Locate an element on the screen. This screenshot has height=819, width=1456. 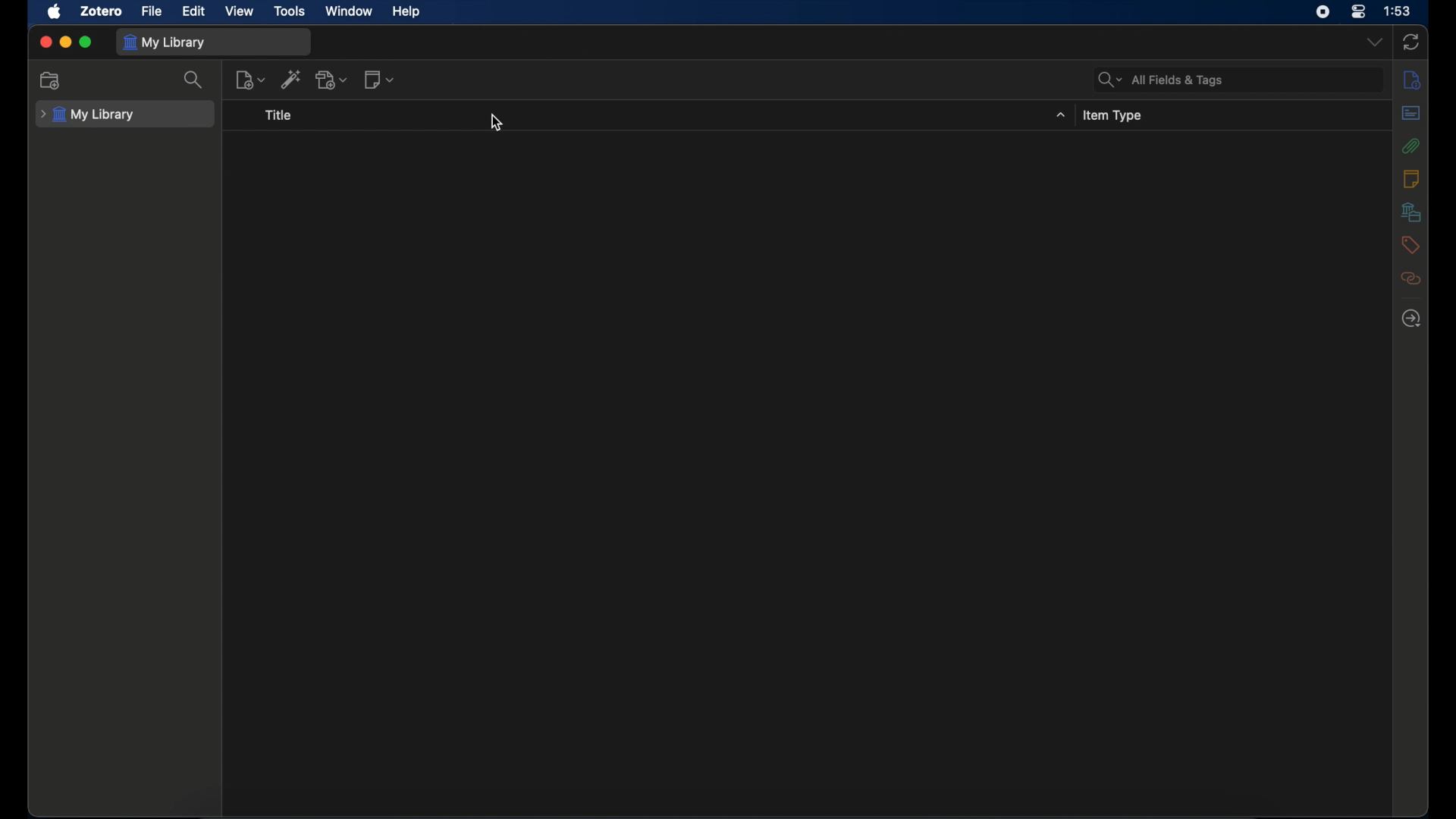
my library is located at coordinates (164, 43).